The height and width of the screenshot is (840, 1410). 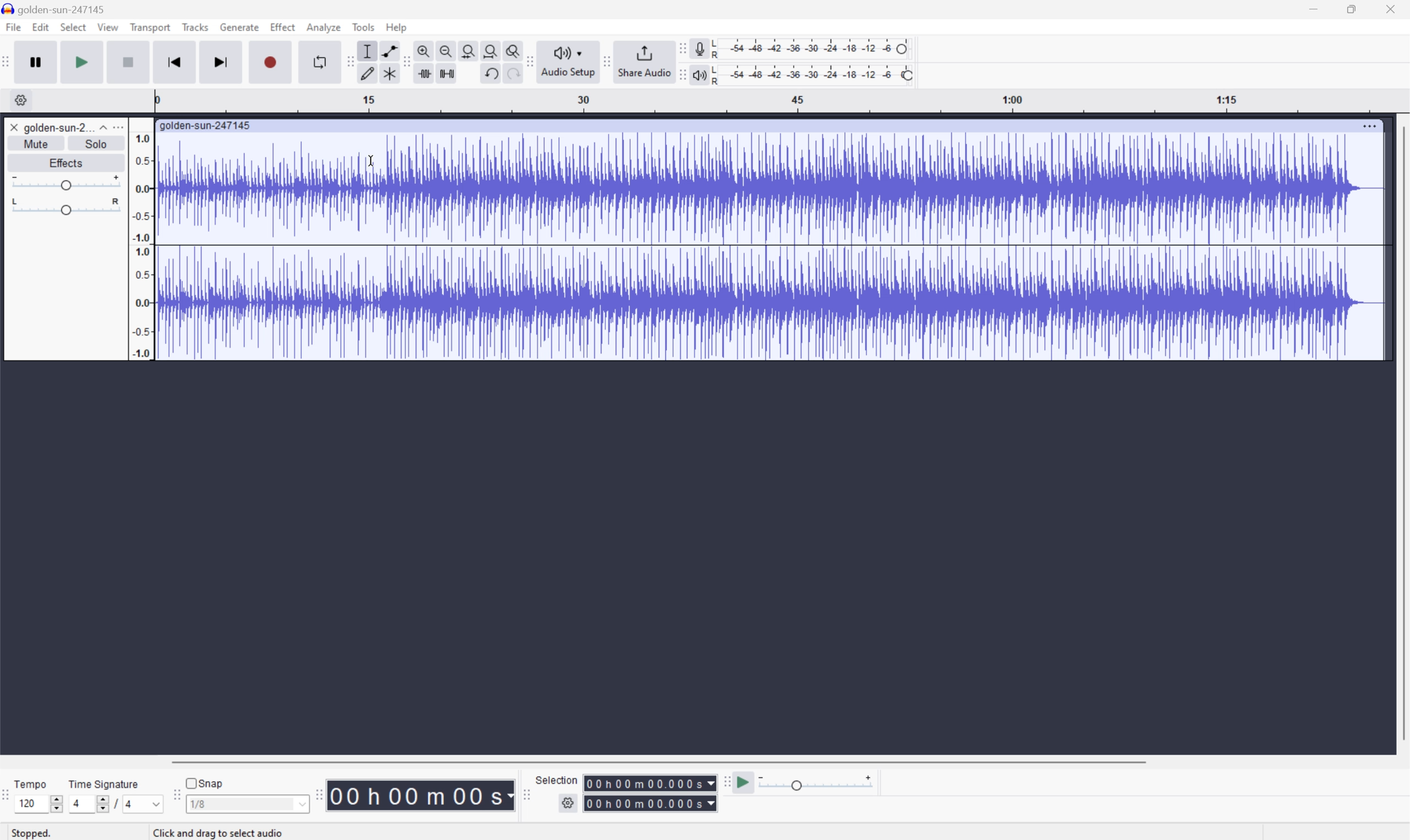 What do you see at coordinates (557, 779) in the screenshot?
I see `Selection` at bounding box center [557, 779].